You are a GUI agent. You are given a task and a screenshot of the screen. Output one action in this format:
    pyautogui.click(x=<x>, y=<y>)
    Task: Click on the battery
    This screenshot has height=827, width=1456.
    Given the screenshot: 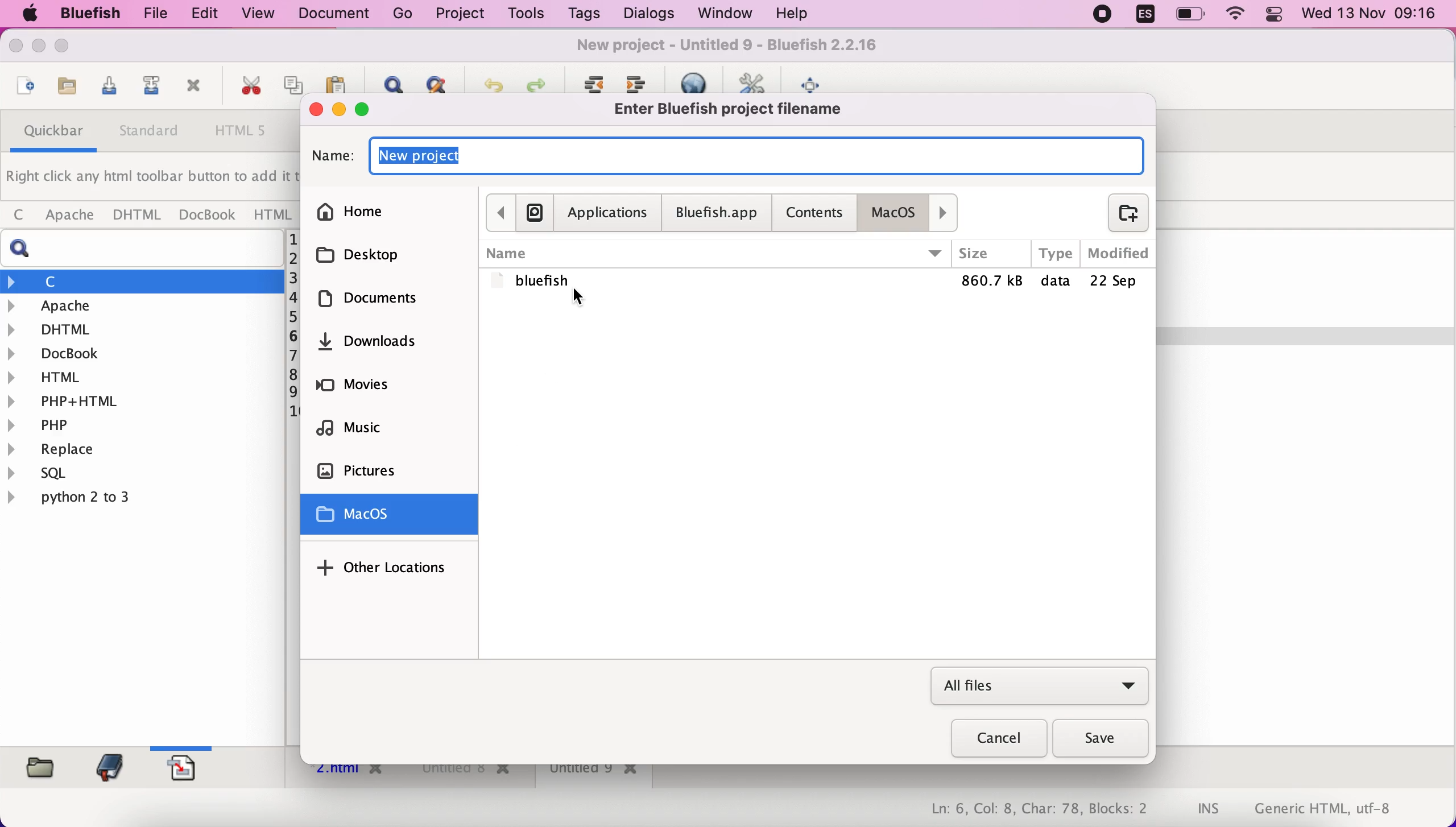 What is the action you would take?
    pyautogui.click(x=1192, y=15)
    